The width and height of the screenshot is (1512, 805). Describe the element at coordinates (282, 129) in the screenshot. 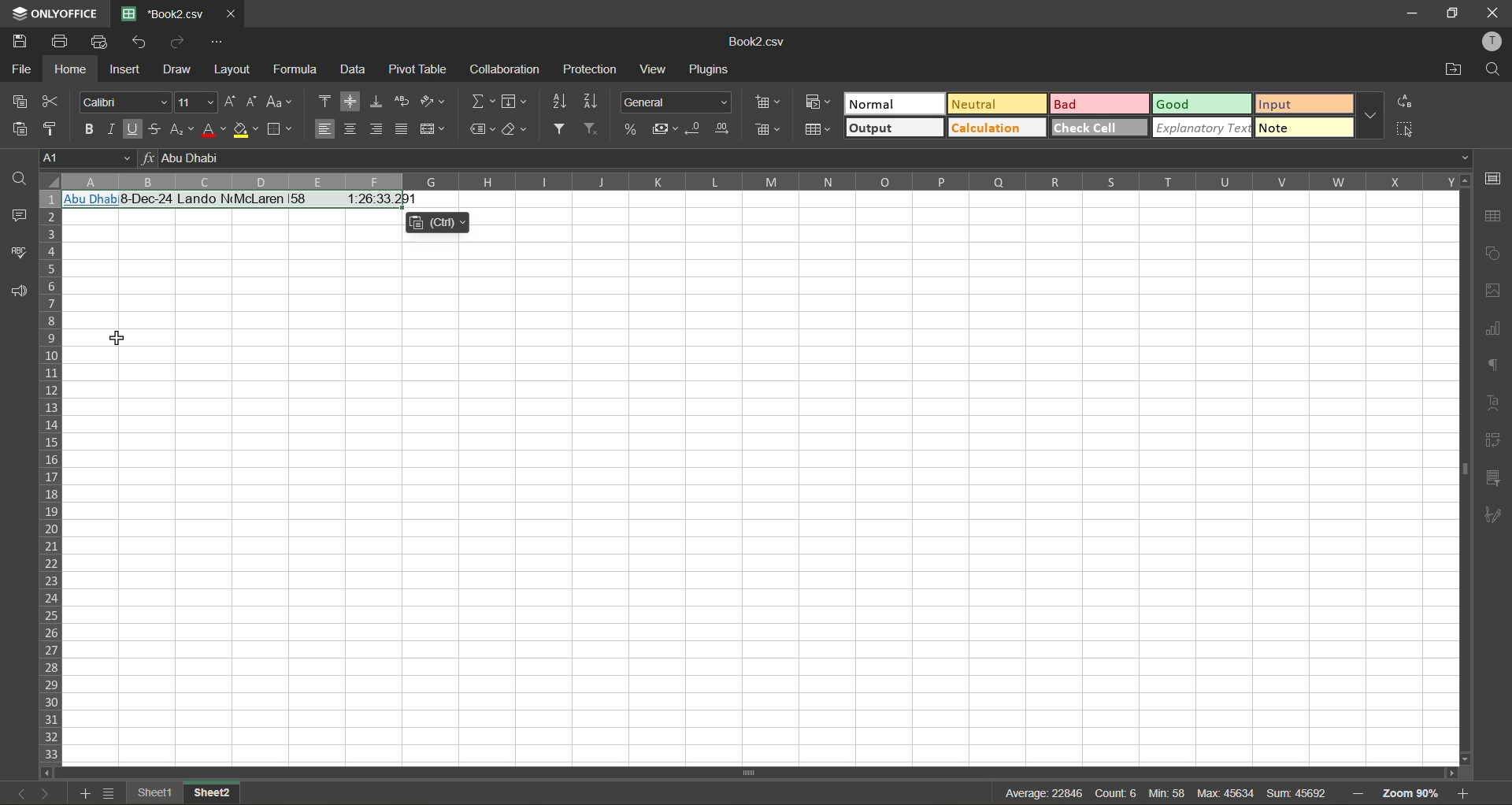

I see `borders` at that location.